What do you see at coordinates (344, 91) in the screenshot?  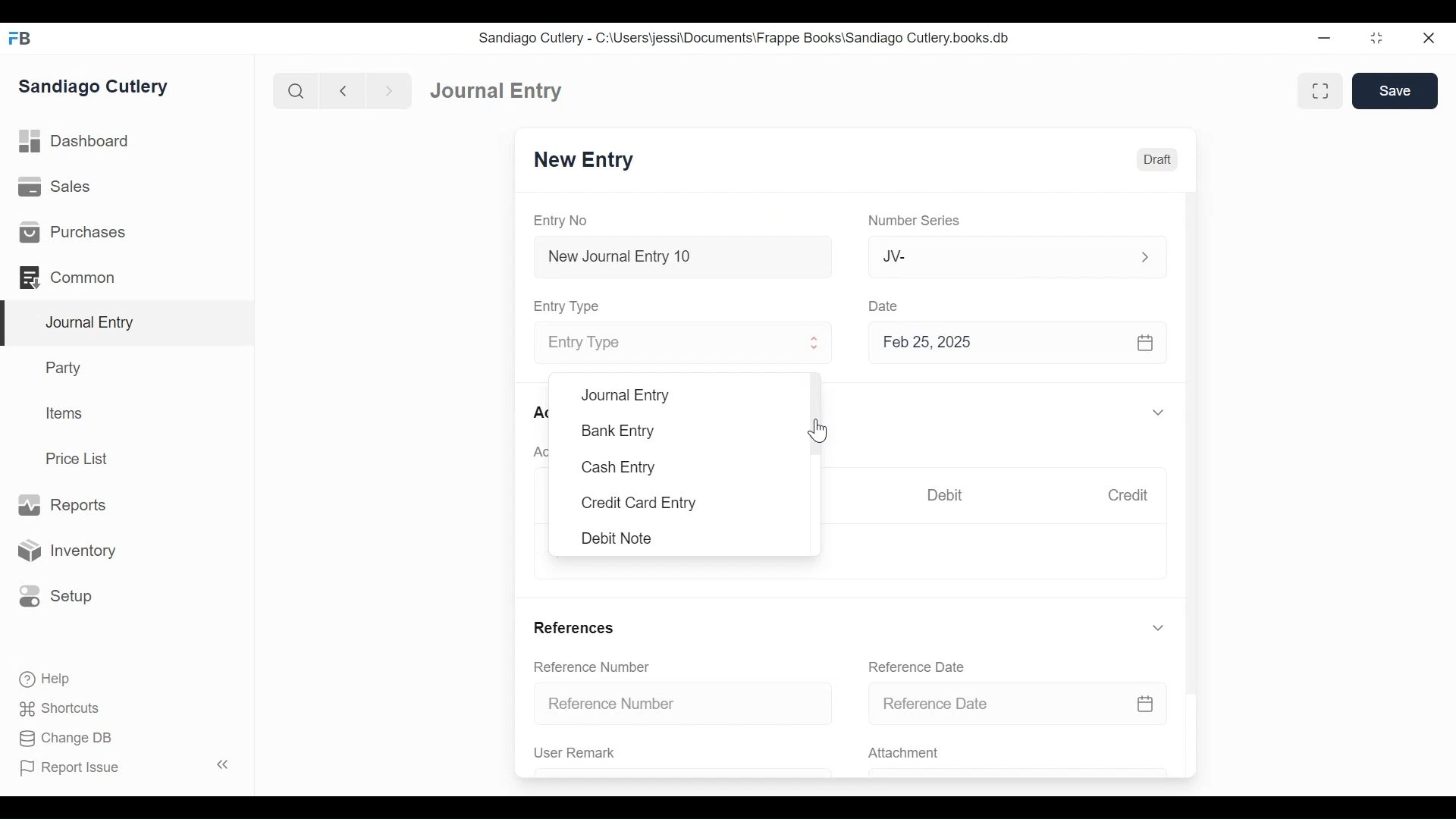 I see `Navigate Back` at bounding box center [344, 91].